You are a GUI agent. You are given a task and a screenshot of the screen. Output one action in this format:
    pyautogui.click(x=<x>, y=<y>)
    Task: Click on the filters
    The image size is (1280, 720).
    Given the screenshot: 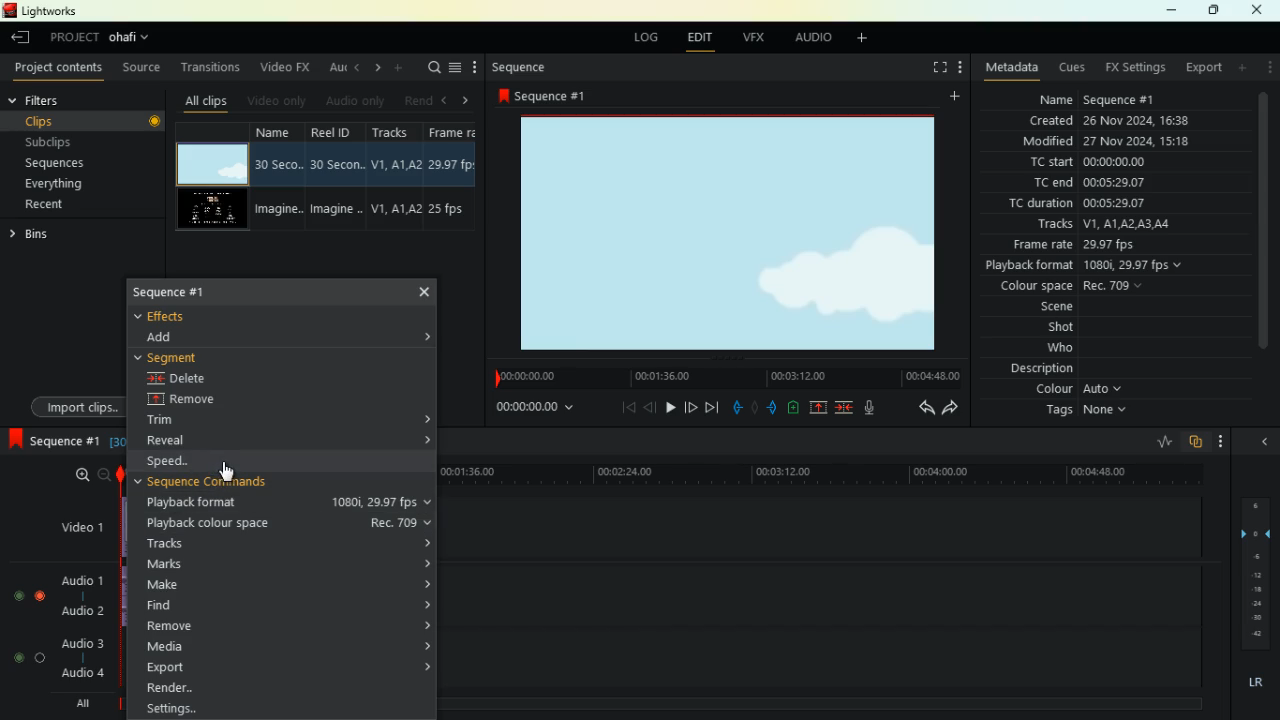 What is the action you would take?
    pyautogui.click(x=57, y=99)
    